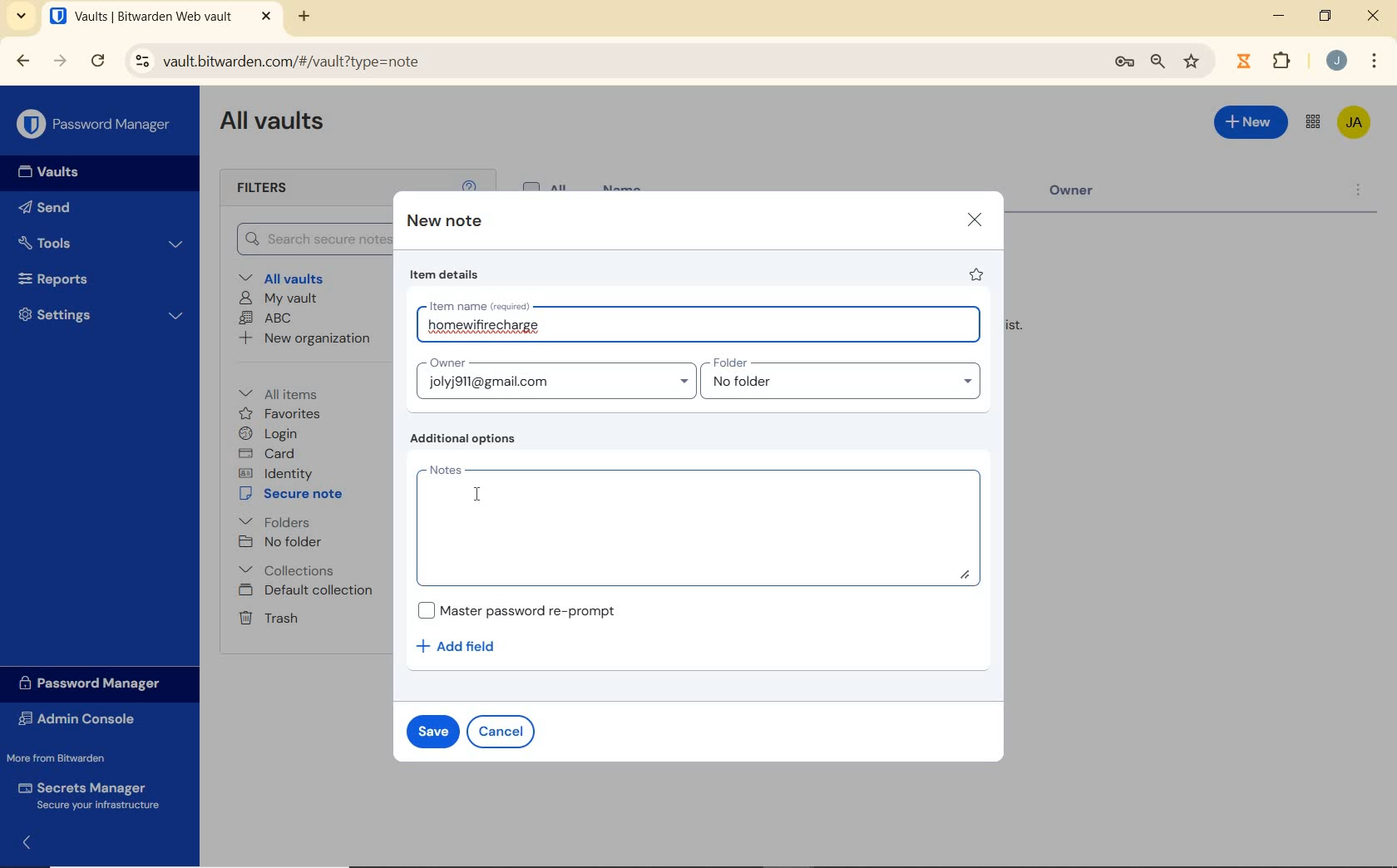 The image size is (1397, 868). I want to click on notes, so click(703, 524).